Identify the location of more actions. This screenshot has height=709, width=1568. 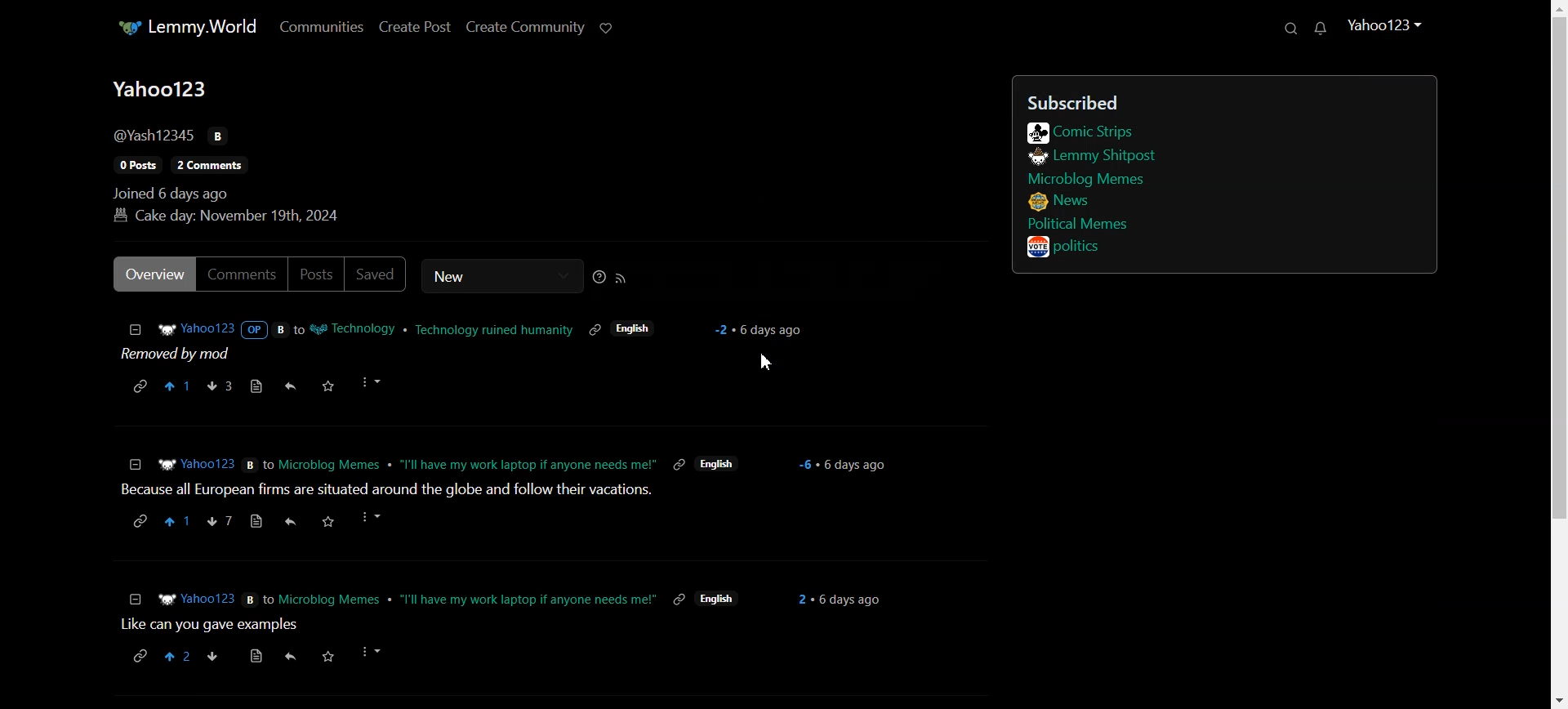
(375, 653).